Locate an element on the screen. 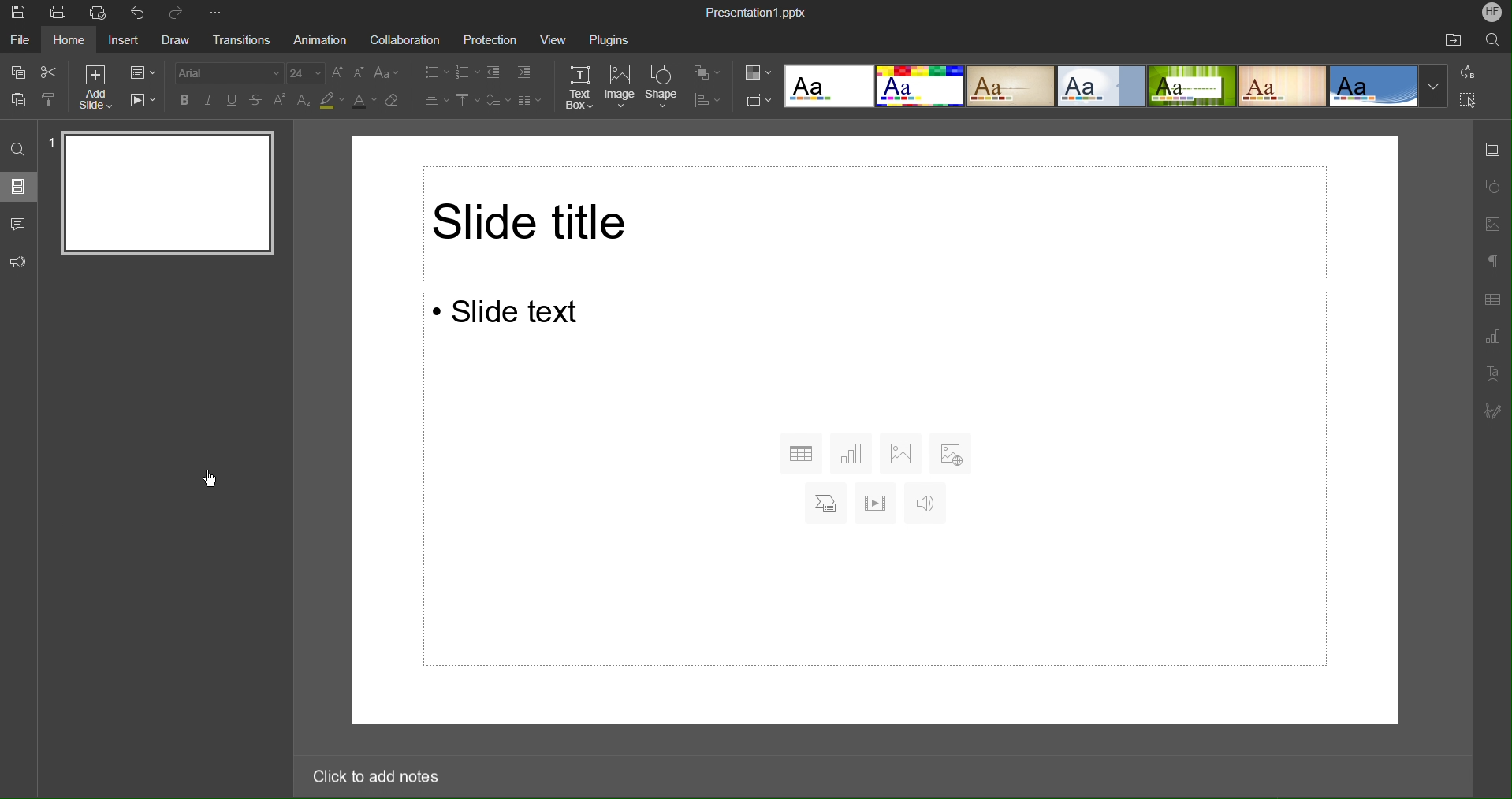 The height and width of the screenshot is (799, 1512). Search is located at coordinates (17, 147).